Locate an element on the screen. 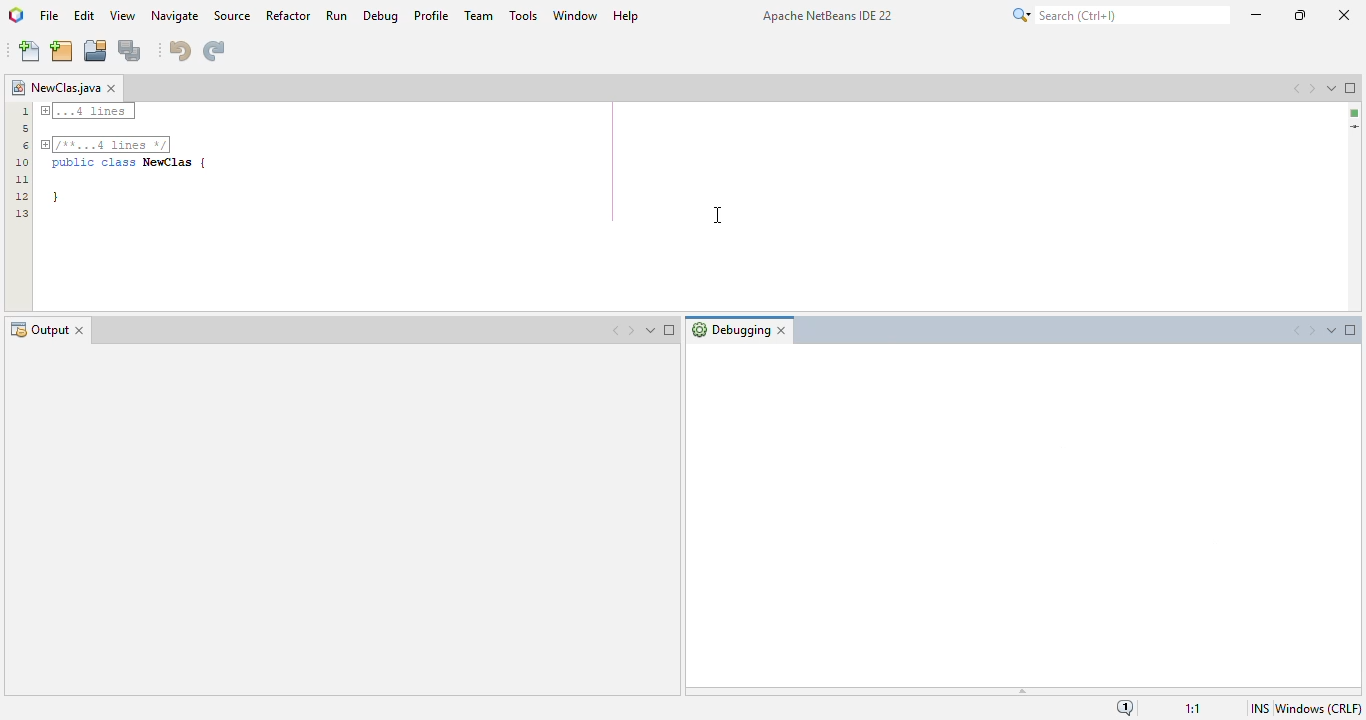 Image resolution: width=1366 pixels, height=720 pixels. debug is located at coordinates (381, 15).